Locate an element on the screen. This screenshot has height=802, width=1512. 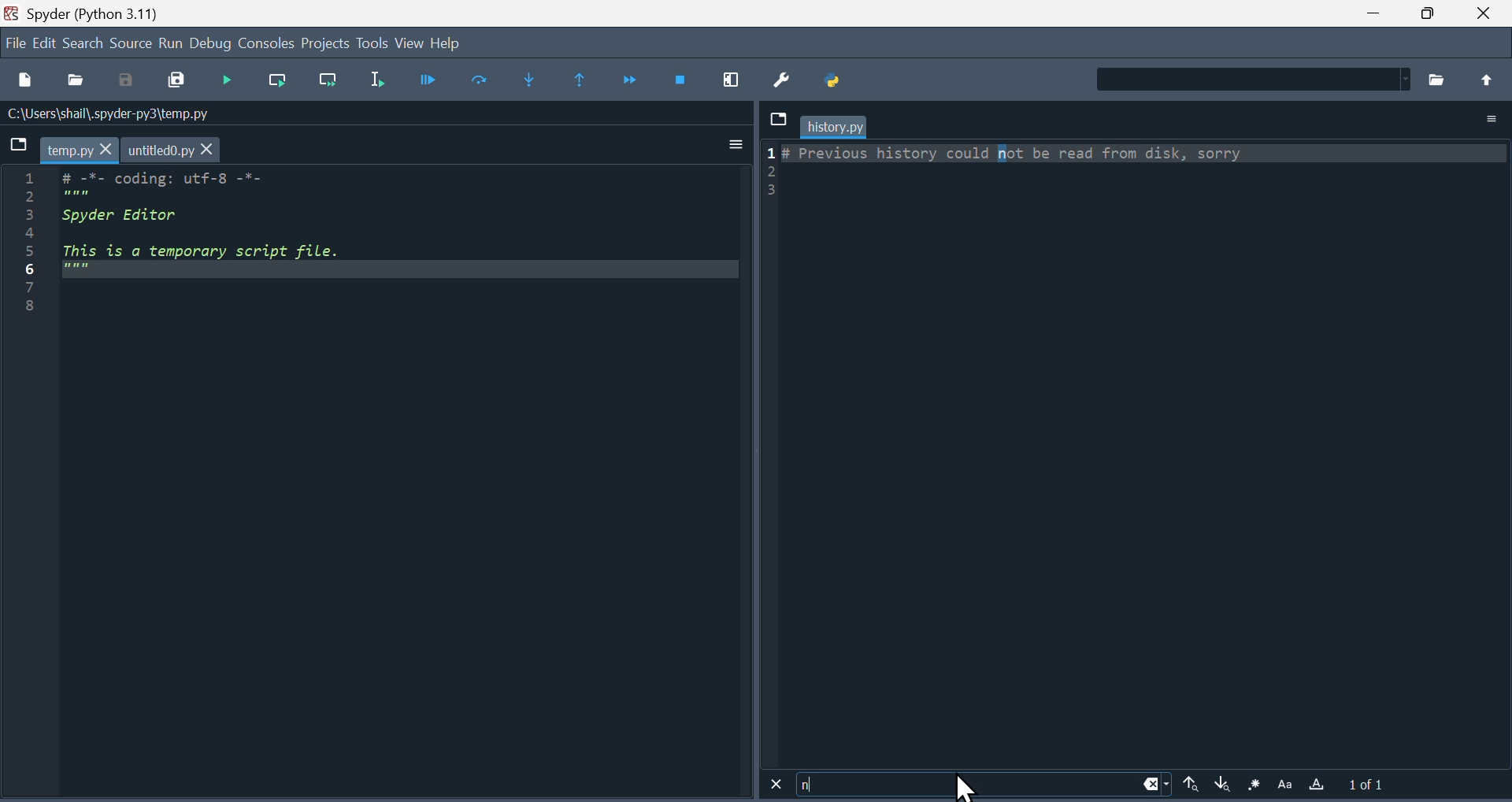
untitled0.py is located at coordinates (172, 150).